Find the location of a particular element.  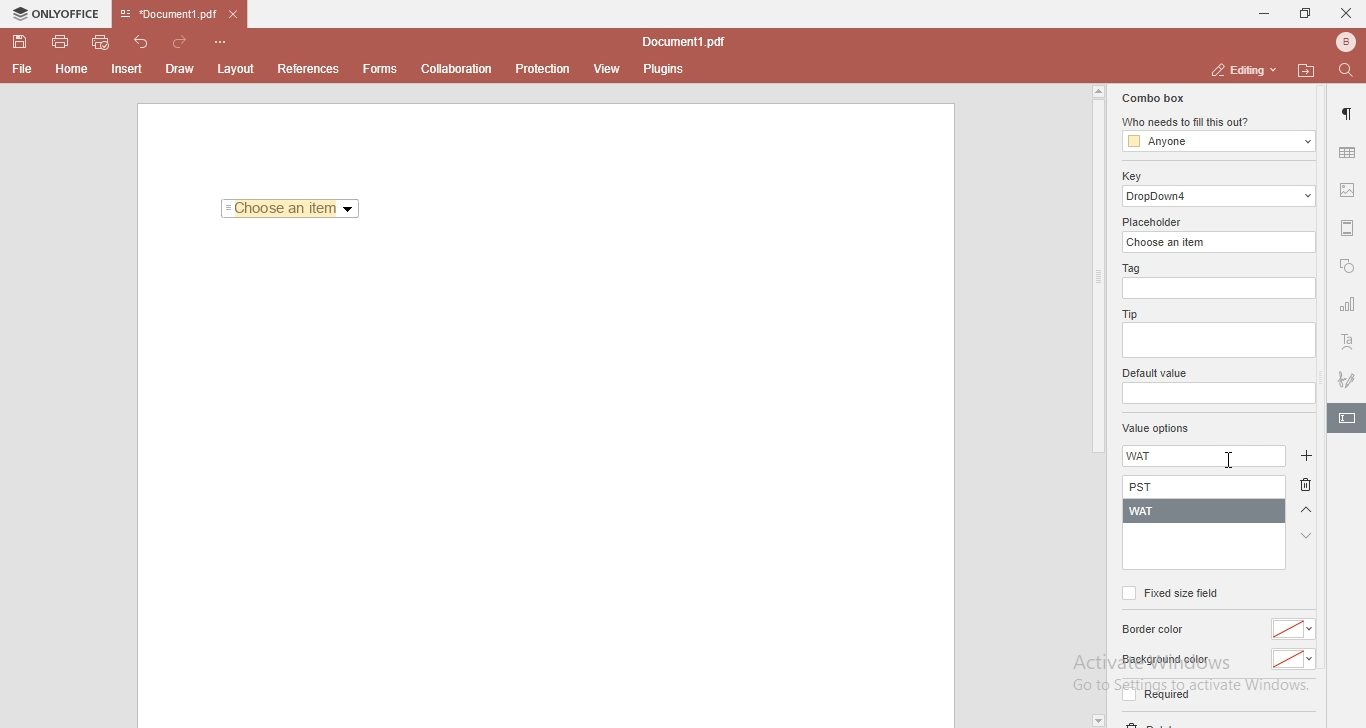

chart is located at coordinates (1348, 308).